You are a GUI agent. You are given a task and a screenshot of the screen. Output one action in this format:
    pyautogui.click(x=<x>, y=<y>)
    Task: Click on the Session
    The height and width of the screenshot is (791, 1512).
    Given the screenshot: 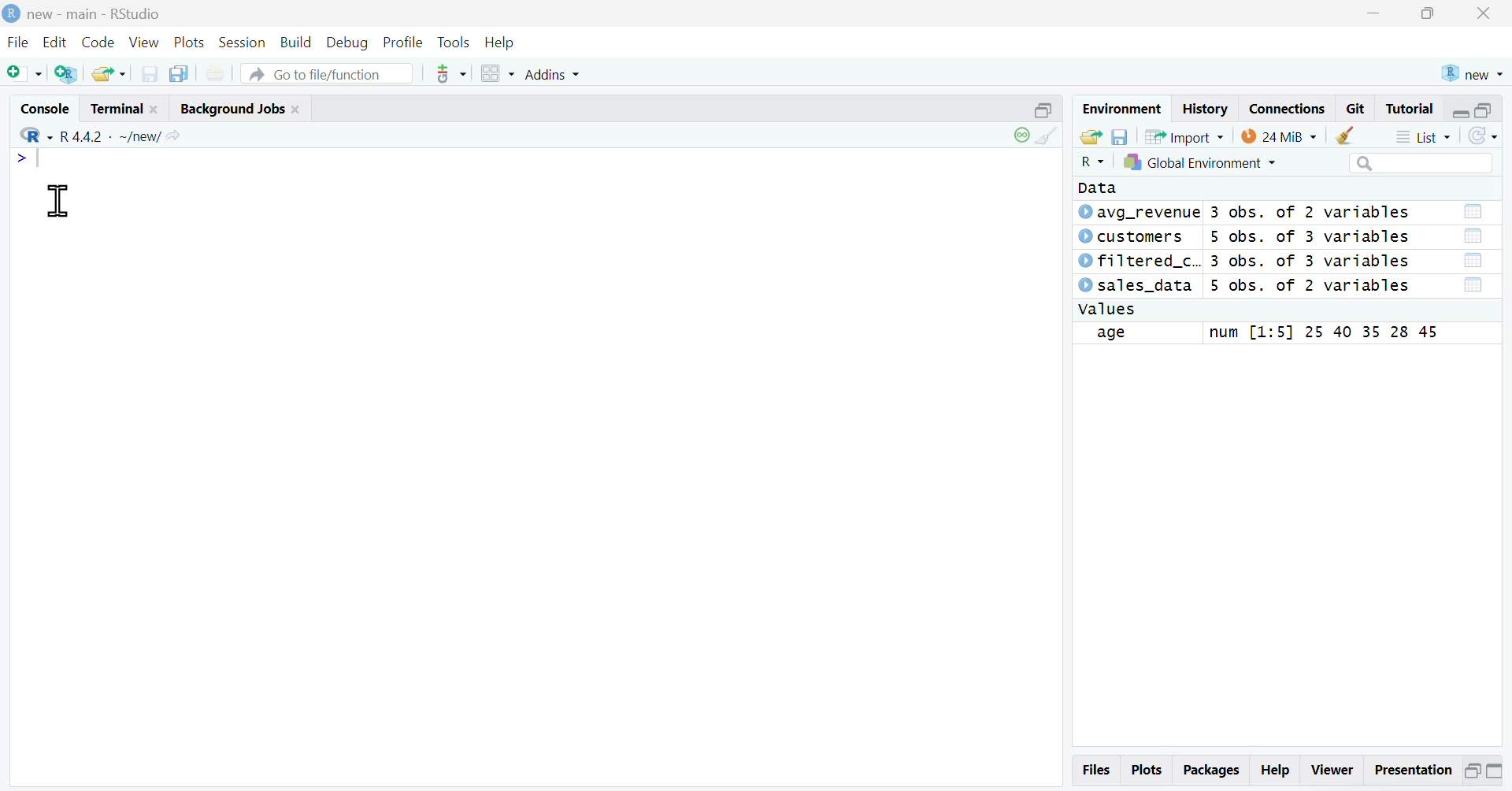 What is the action you would take?
    pyautogui.click(x=243, y=42)
    